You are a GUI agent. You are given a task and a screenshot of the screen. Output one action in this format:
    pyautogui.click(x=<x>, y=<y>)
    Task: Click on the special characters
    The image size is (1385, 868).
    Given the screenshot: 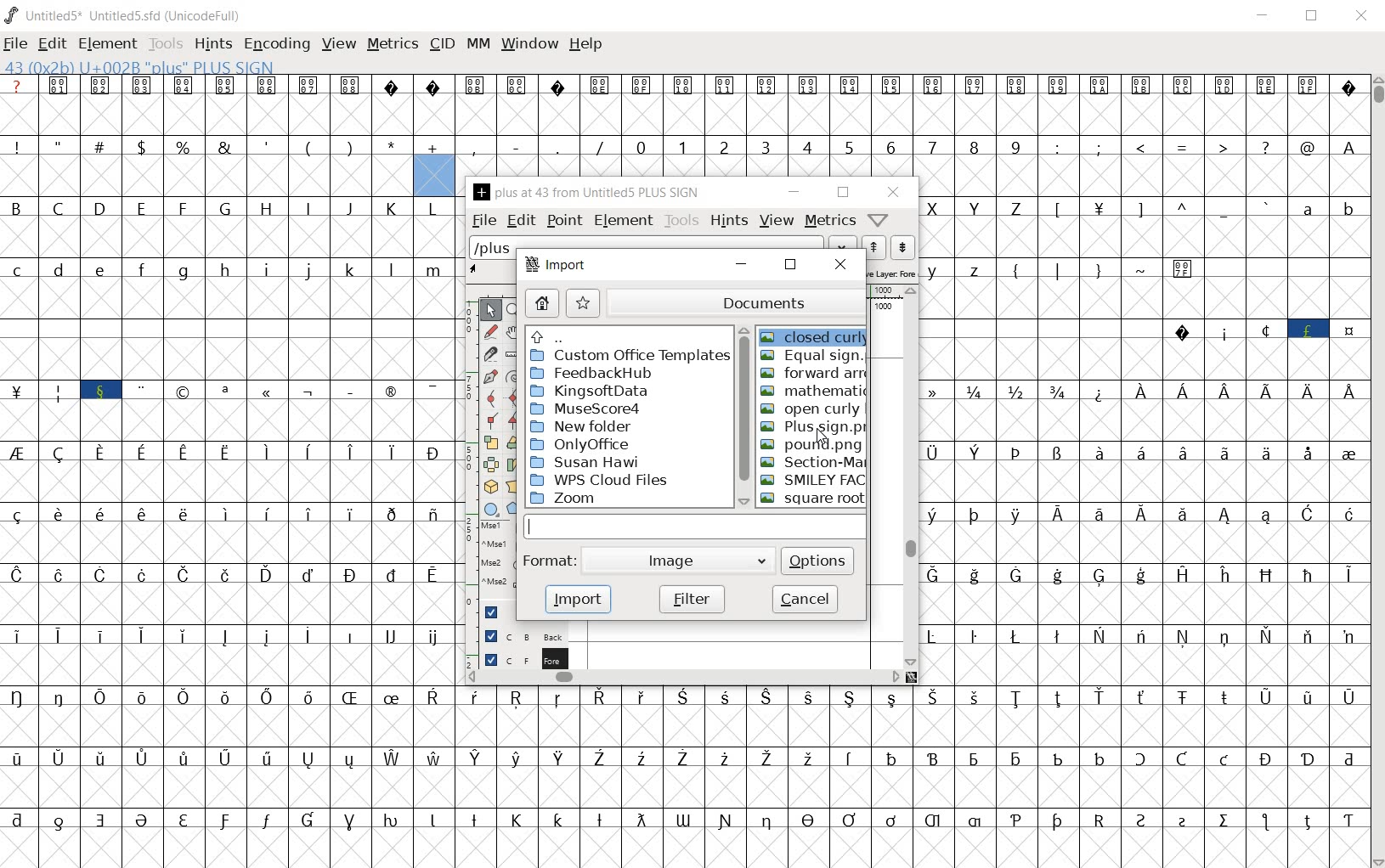 What is the action you would take?
    pyautogui.click(x=692, y=839)
    